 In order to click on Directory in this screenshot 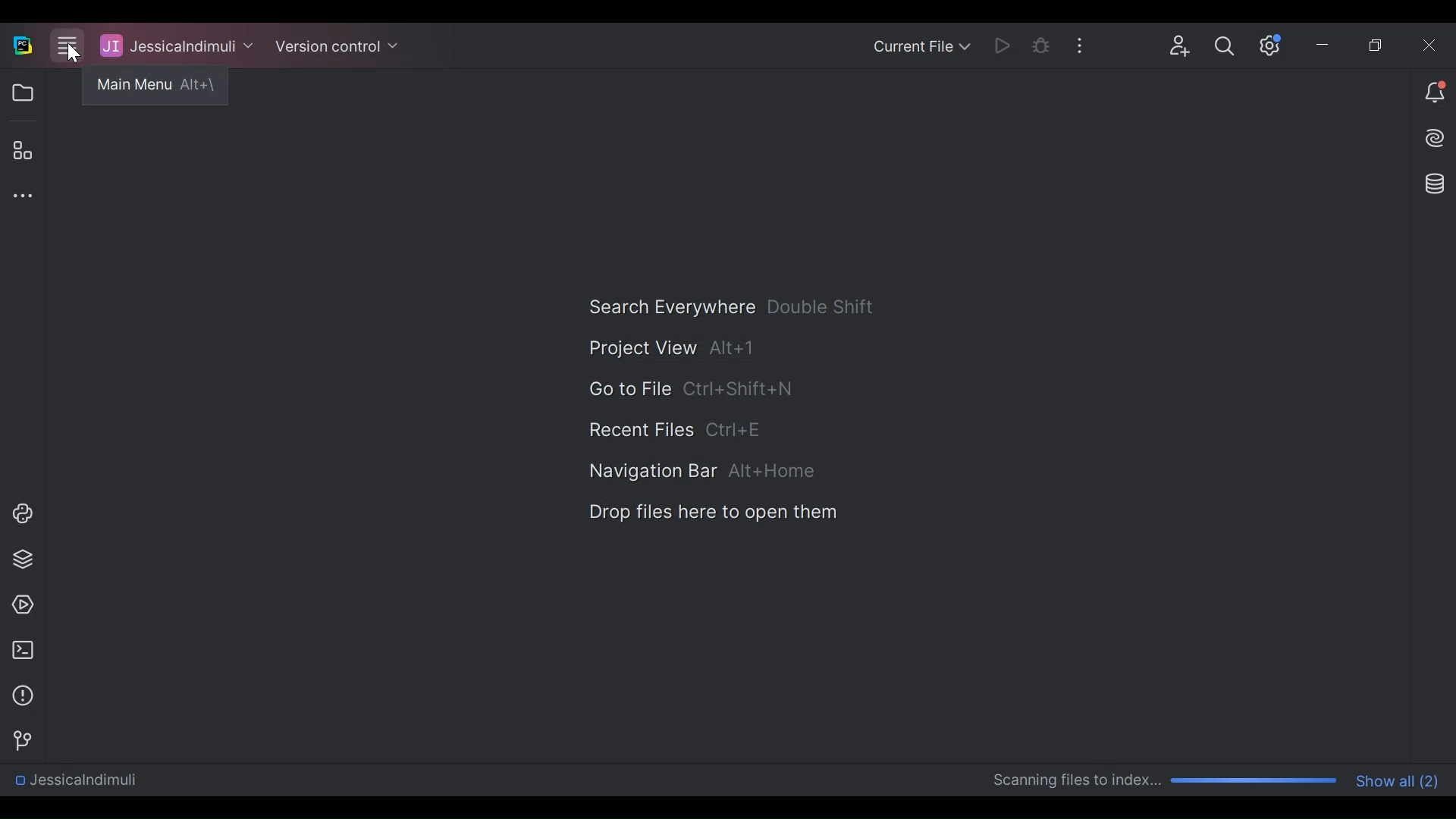, I will do `click(74, 780)`.